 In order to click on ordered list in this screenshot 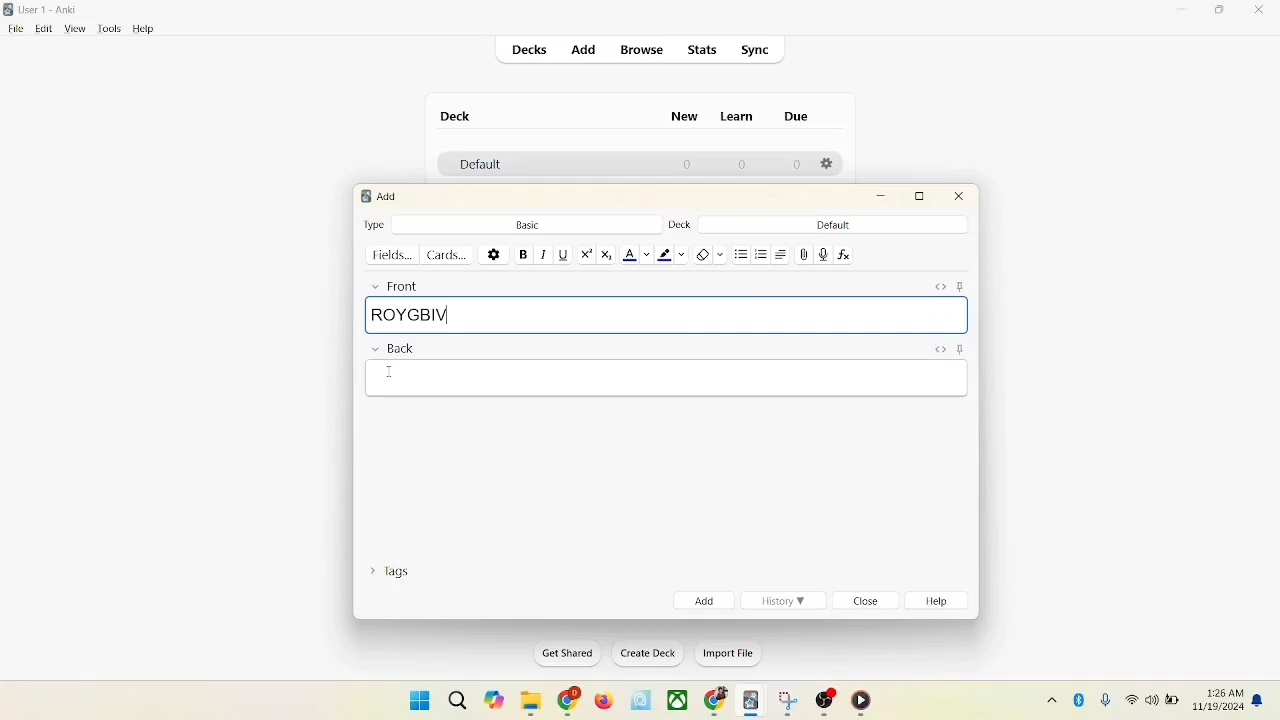, I will do `click(762, 252)`.